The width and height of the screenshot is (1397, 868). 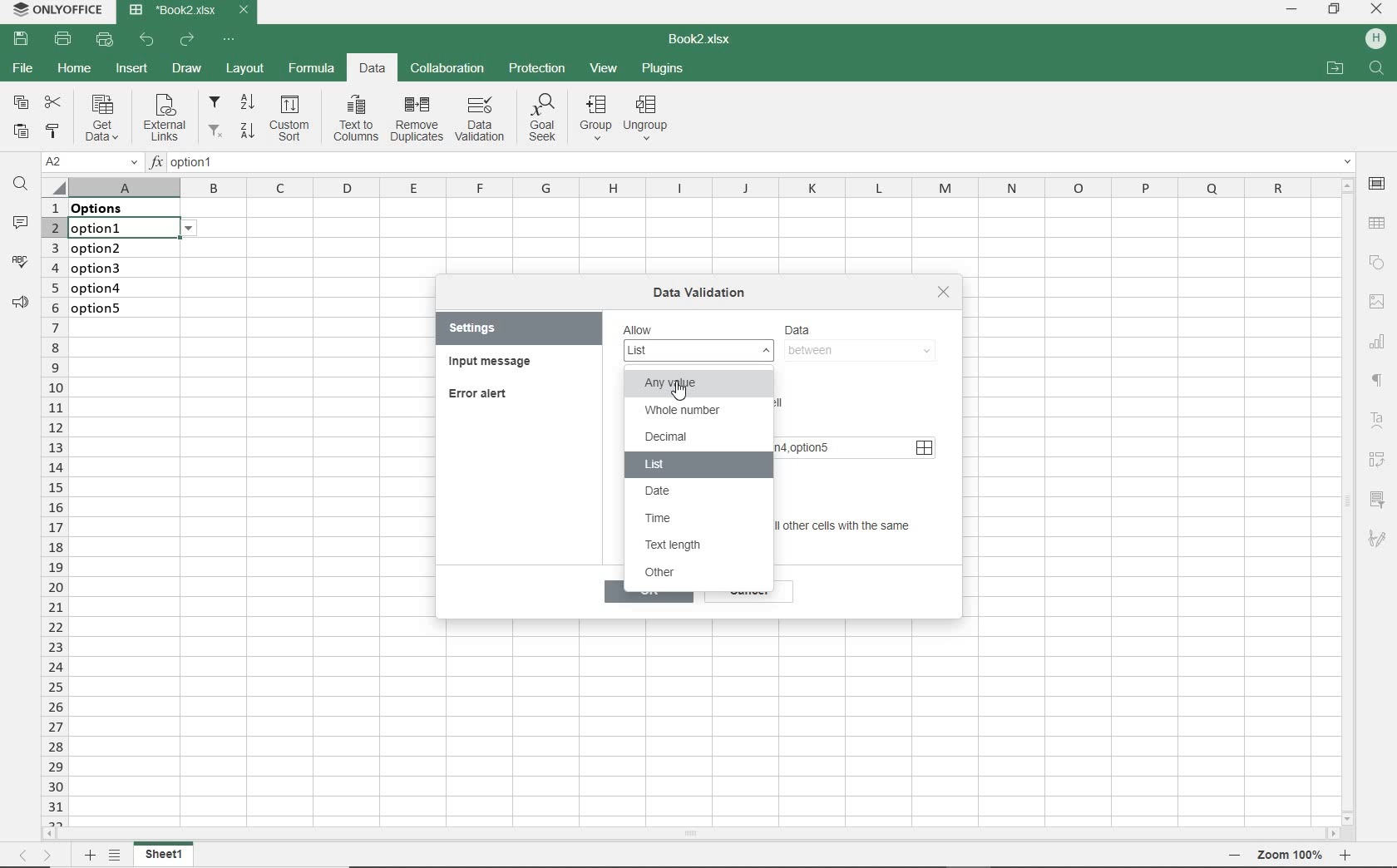 What do you see at coordinates (926, 449) in the screenshot?
I see `source` at bounding box center [926, 449].